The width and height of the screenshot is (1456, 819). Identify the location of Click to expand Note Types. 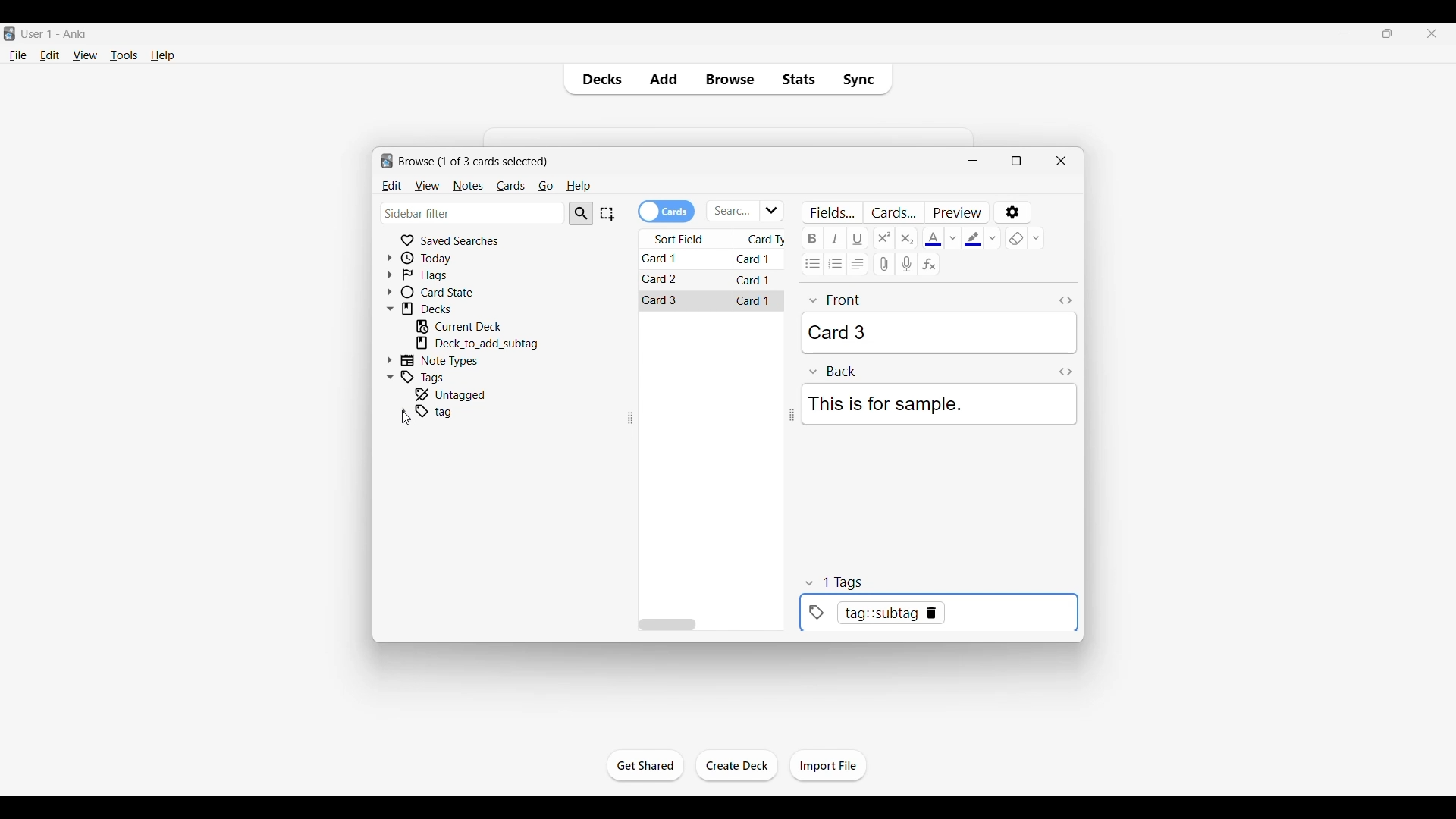
(390, 360).